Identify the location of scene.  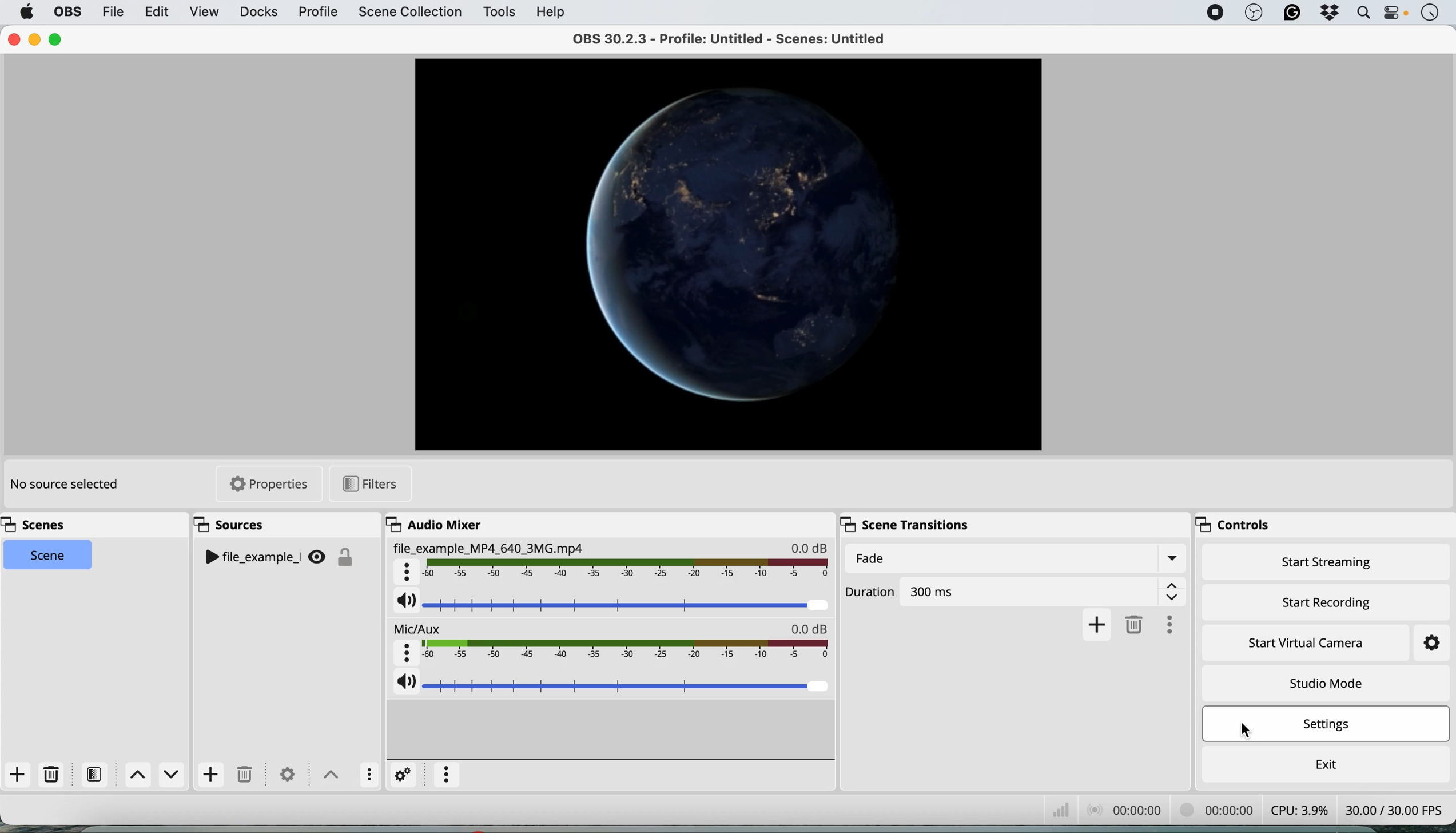
(49, 556).